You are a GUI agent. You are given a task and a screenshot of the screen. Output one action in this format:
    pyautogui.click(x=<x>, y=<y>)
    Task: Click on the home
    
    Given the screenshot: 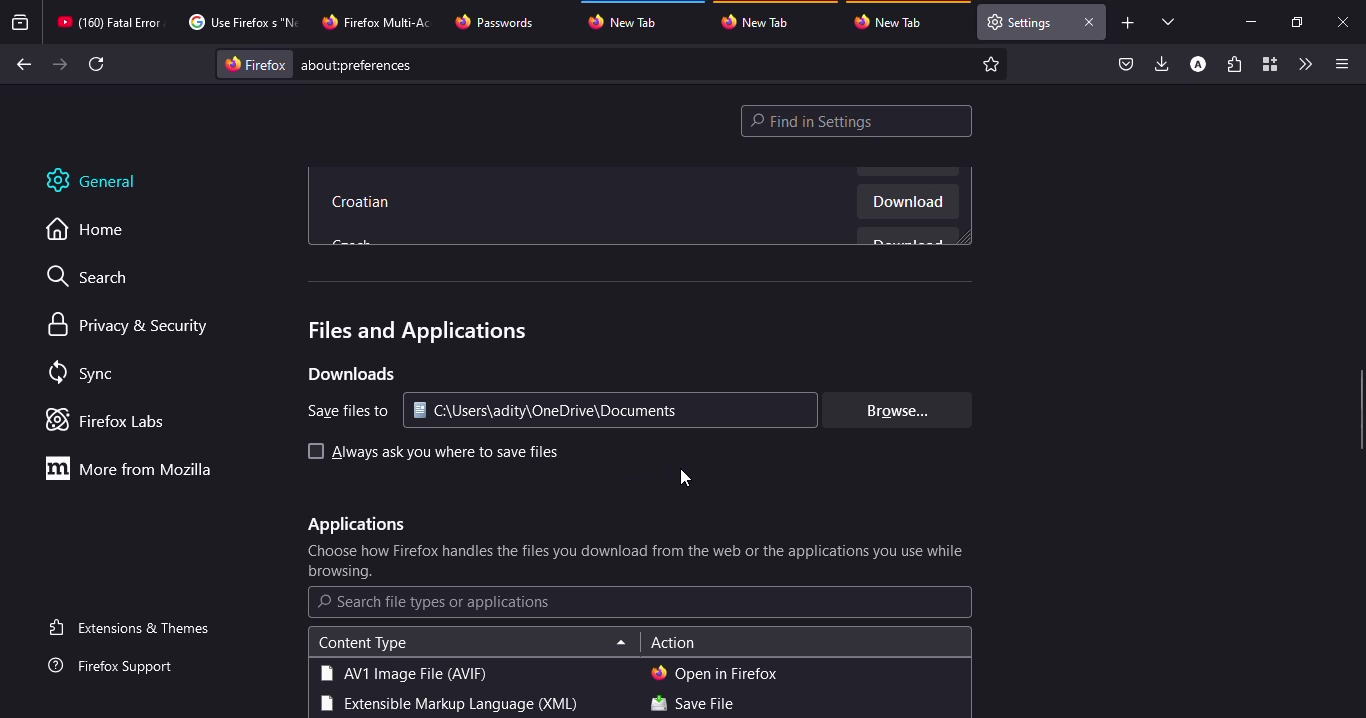 What is the action you would take?
    pyautogui.click(x=96, y=230)
    